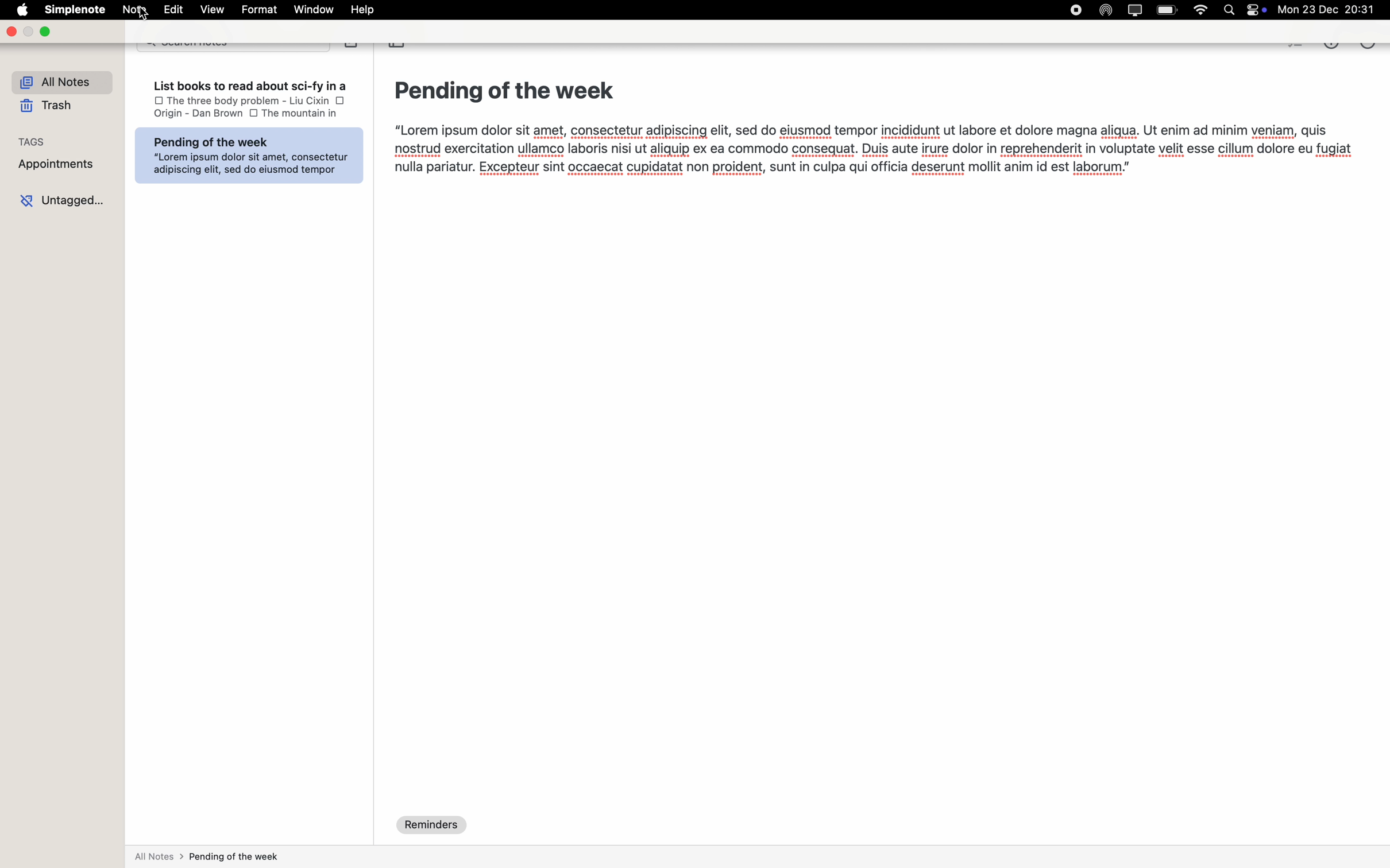  What do you see at coordinates (17, 9) in the screenshot?
I see `Apple logo` at bounding box center [17, 9].